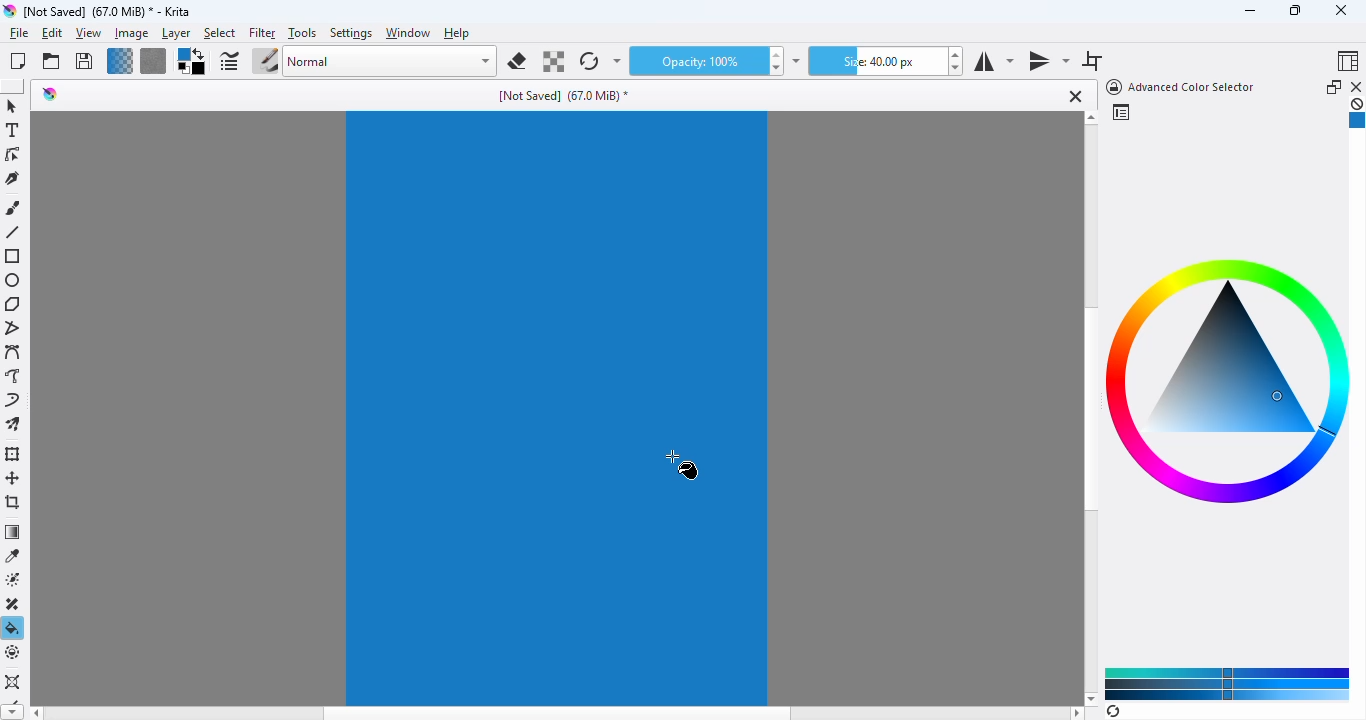 The image size is (1366, 720). I want to click on blending mode, so click(391, 62).